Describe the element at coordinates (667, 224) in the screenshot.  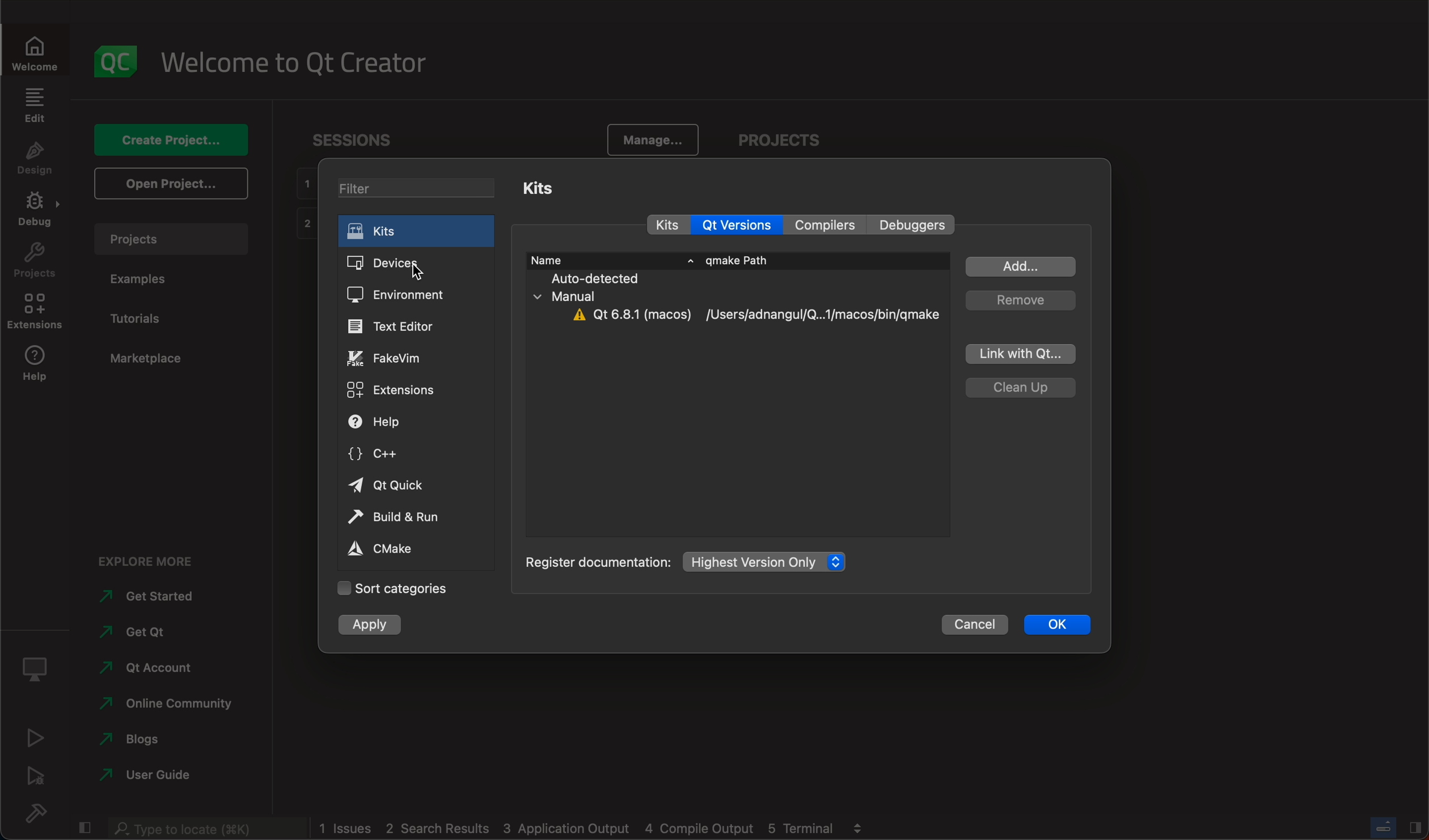
I see `kits` at that location.